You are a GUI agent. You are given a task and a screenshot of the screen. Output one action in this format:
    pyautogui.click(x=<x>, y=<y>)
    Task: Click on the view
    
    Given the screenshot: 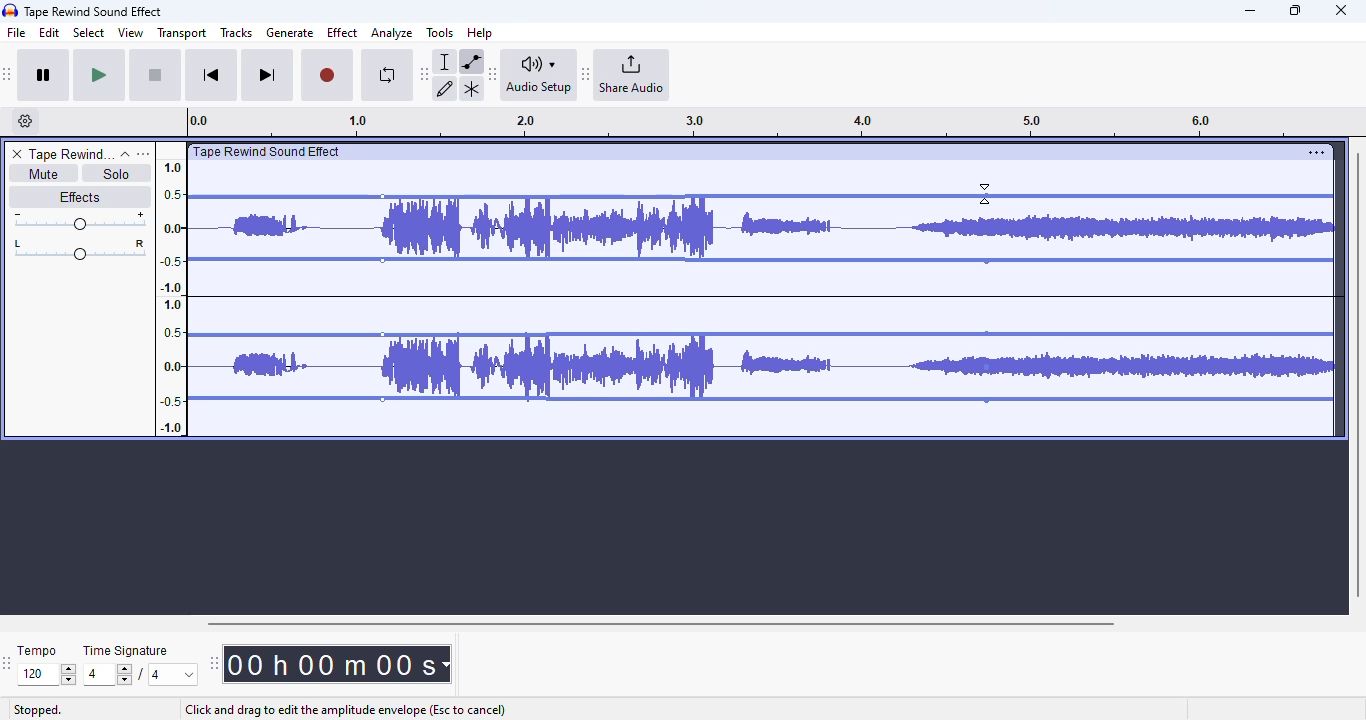 What is the action you would take?
    pyautogui.click(x=131, y=33)
    